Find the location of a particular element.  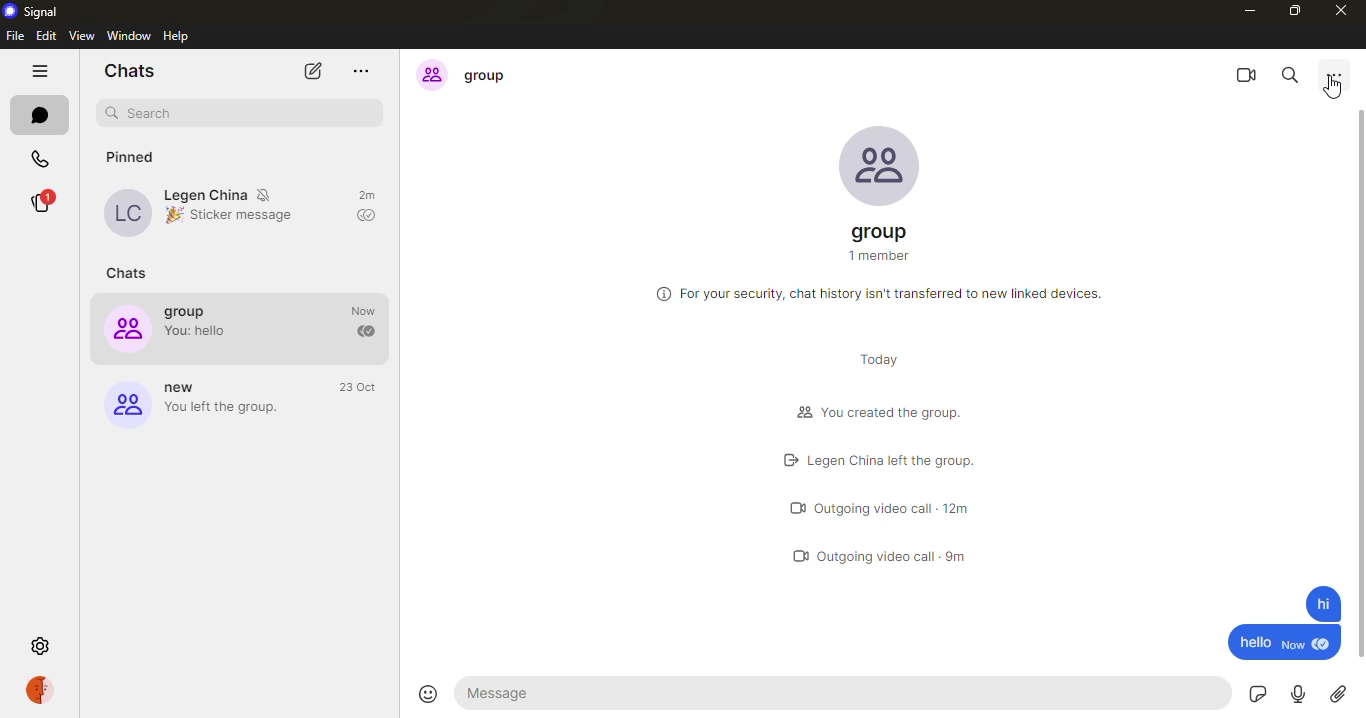

time is located at coordinates (366, 195).